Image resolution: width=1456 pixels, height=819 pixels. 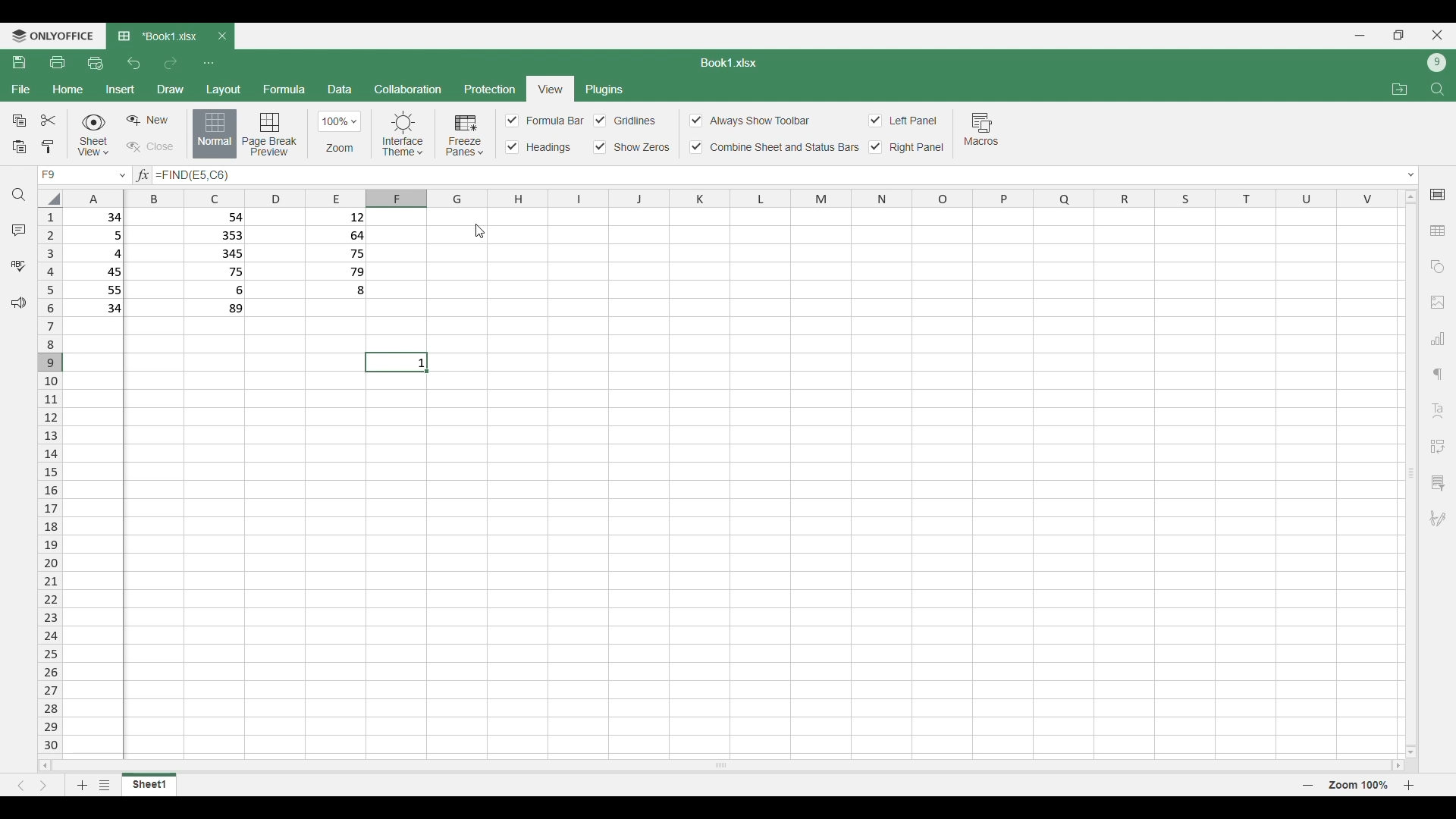 I want to click on Current zoom factor, so click(x=1359, y=785).